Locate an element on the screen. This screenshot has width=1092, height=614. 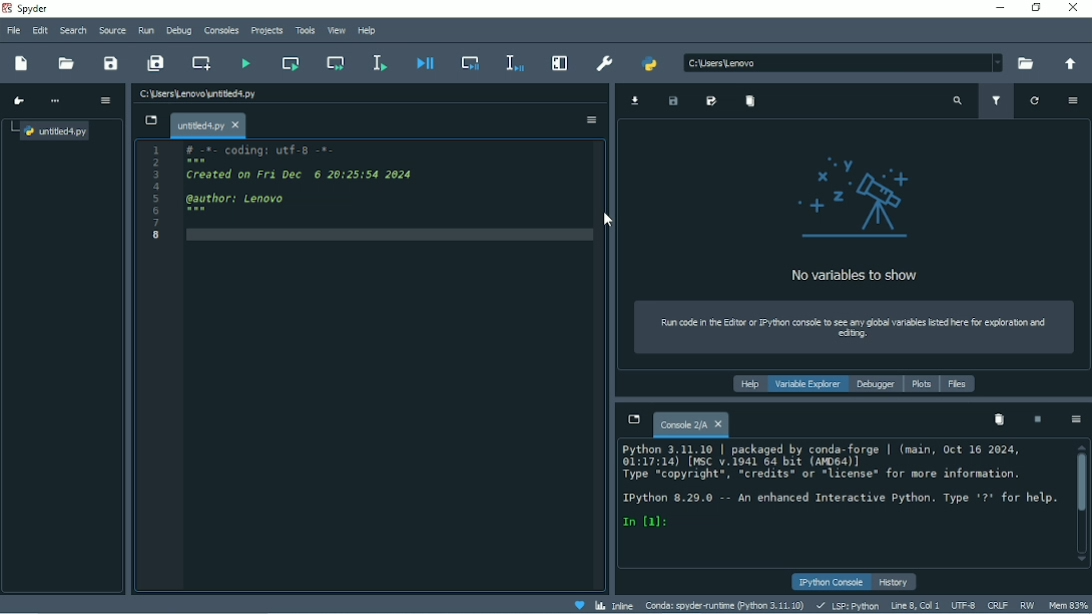
More is located at coordinates (57, 102).